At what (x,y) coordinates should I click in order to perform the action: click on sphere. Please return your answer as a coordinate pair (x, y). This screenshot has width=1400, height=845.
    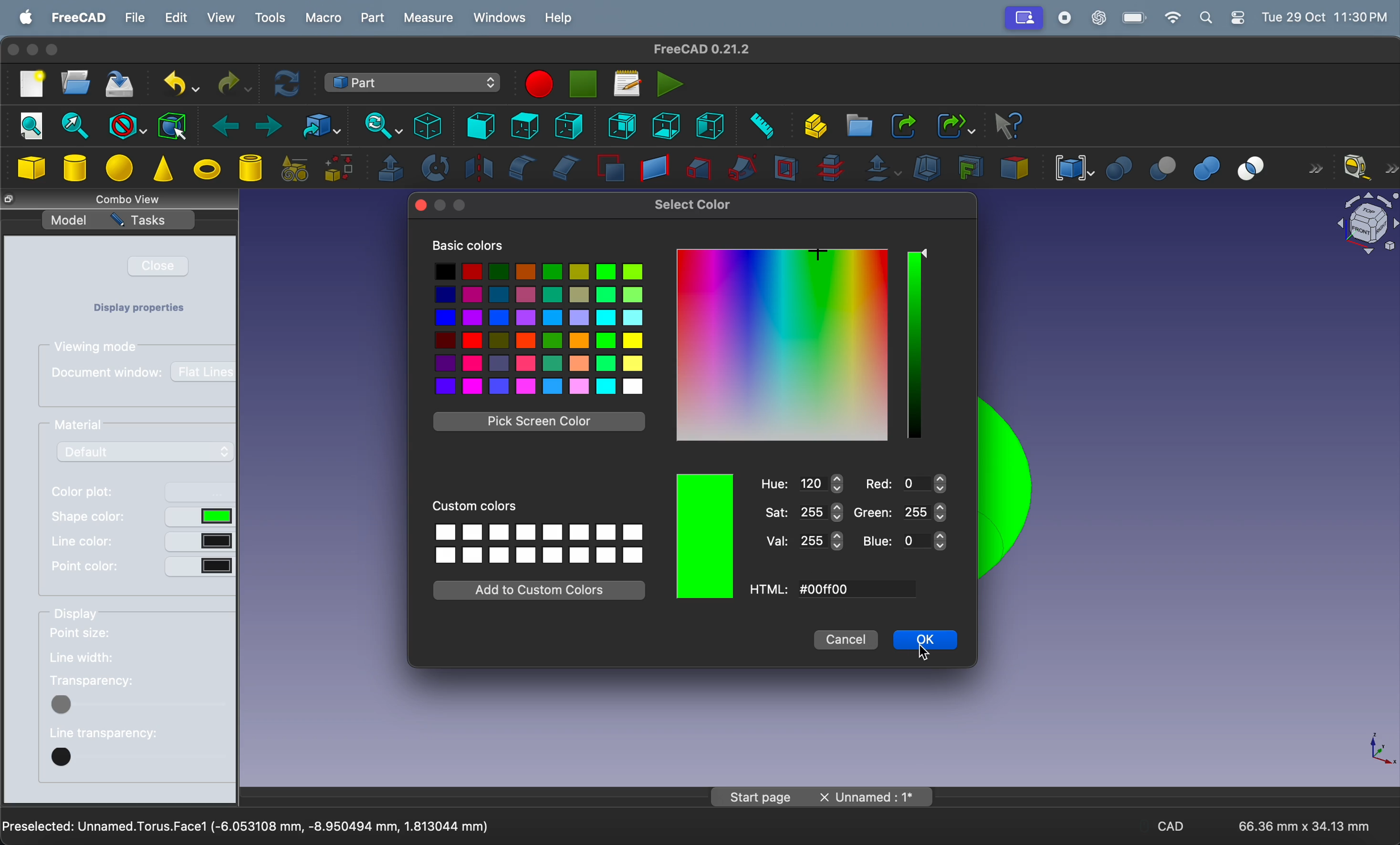
    Looking at the image, I should click on (119, 169).